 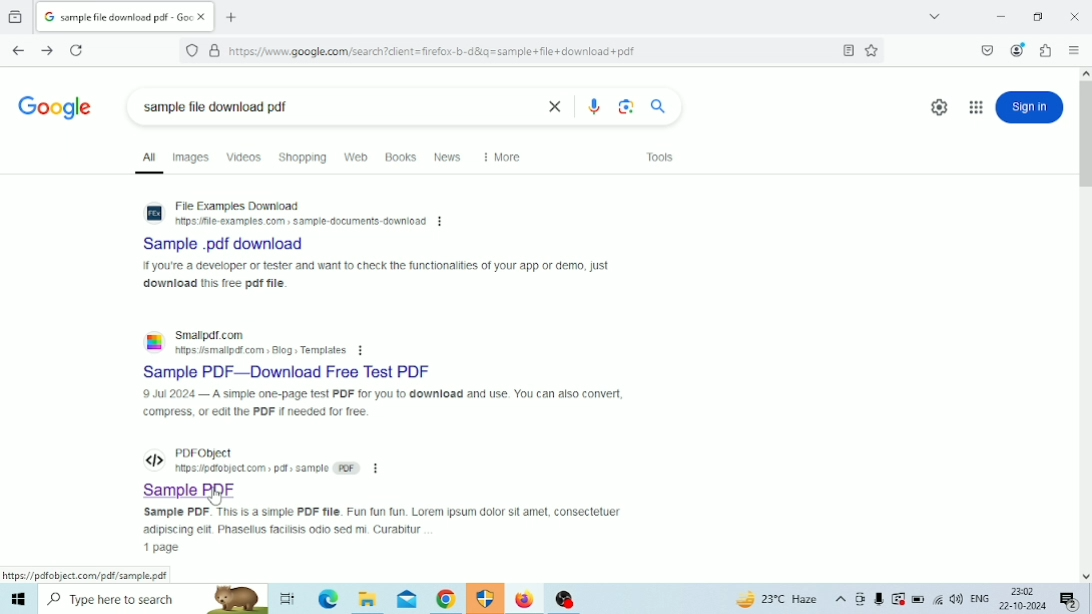 I want to click on Open a new tab, so click(x=231, y=17).